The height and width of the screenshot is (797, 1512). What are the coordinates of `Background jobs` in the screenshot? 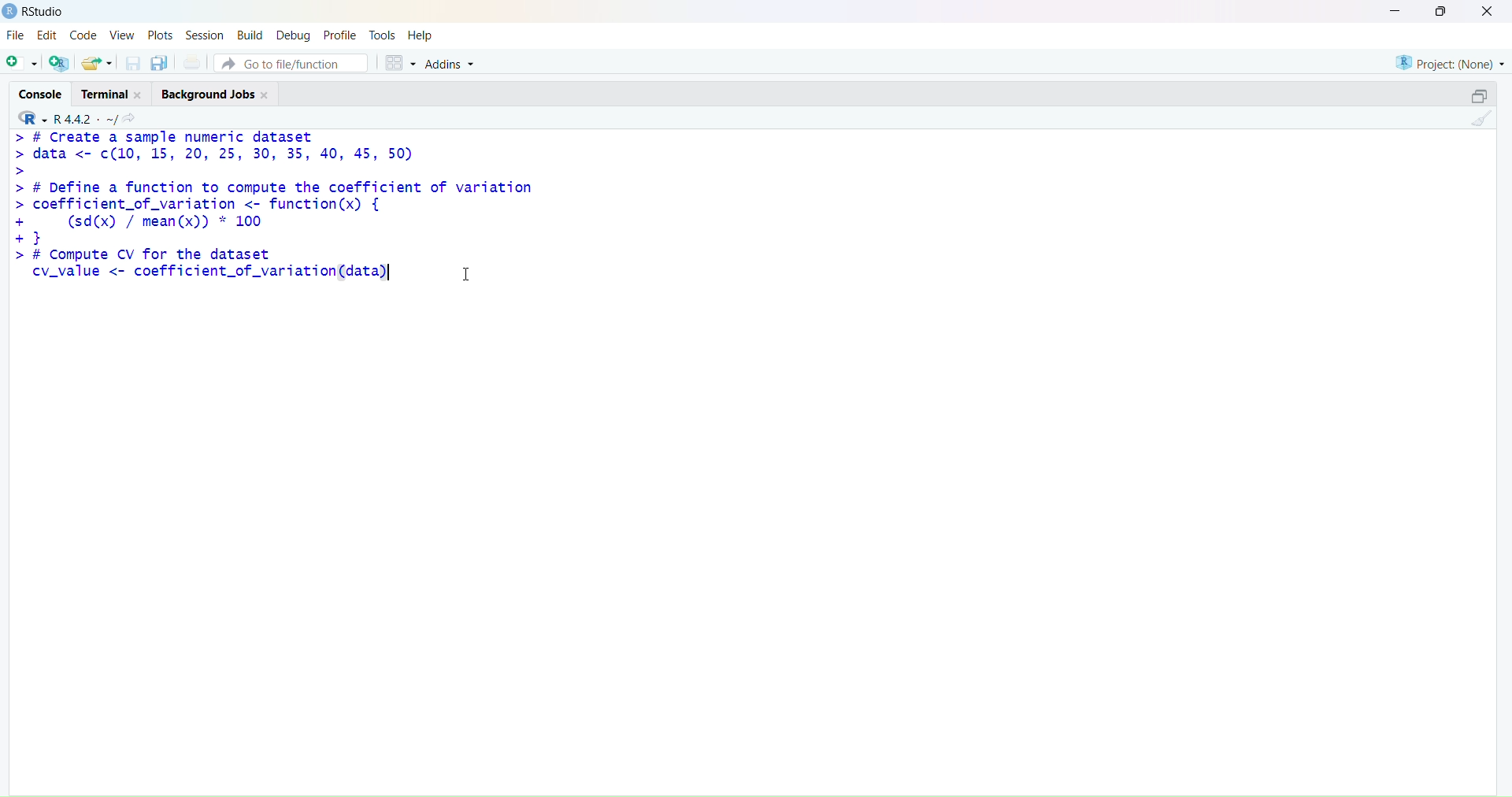 It's located at (207, 96).